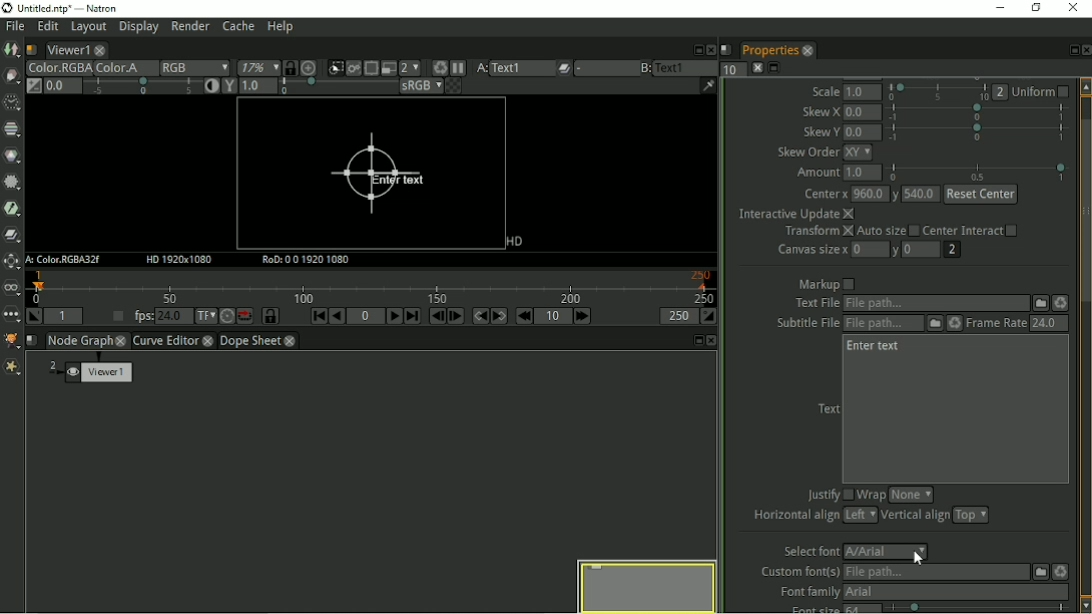  What do you see at coordinates (936, 573) in the screenshot?
I see `file path` at bounding box center [936, 573].